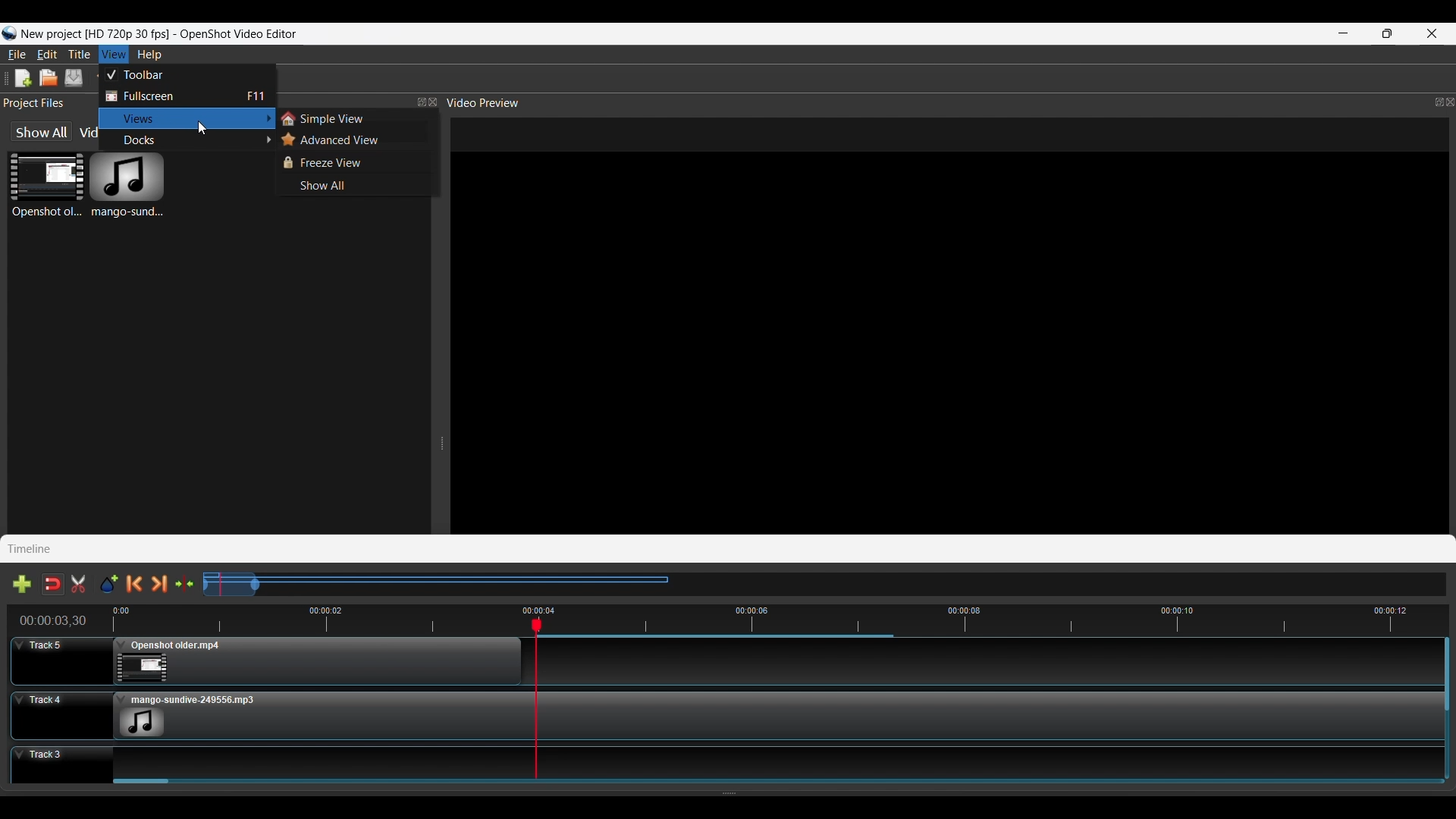 This screenshot has width=1456, height=819. Describe the element at coordinates (187, 141) in the screenshot. I see `Docks` at that location.